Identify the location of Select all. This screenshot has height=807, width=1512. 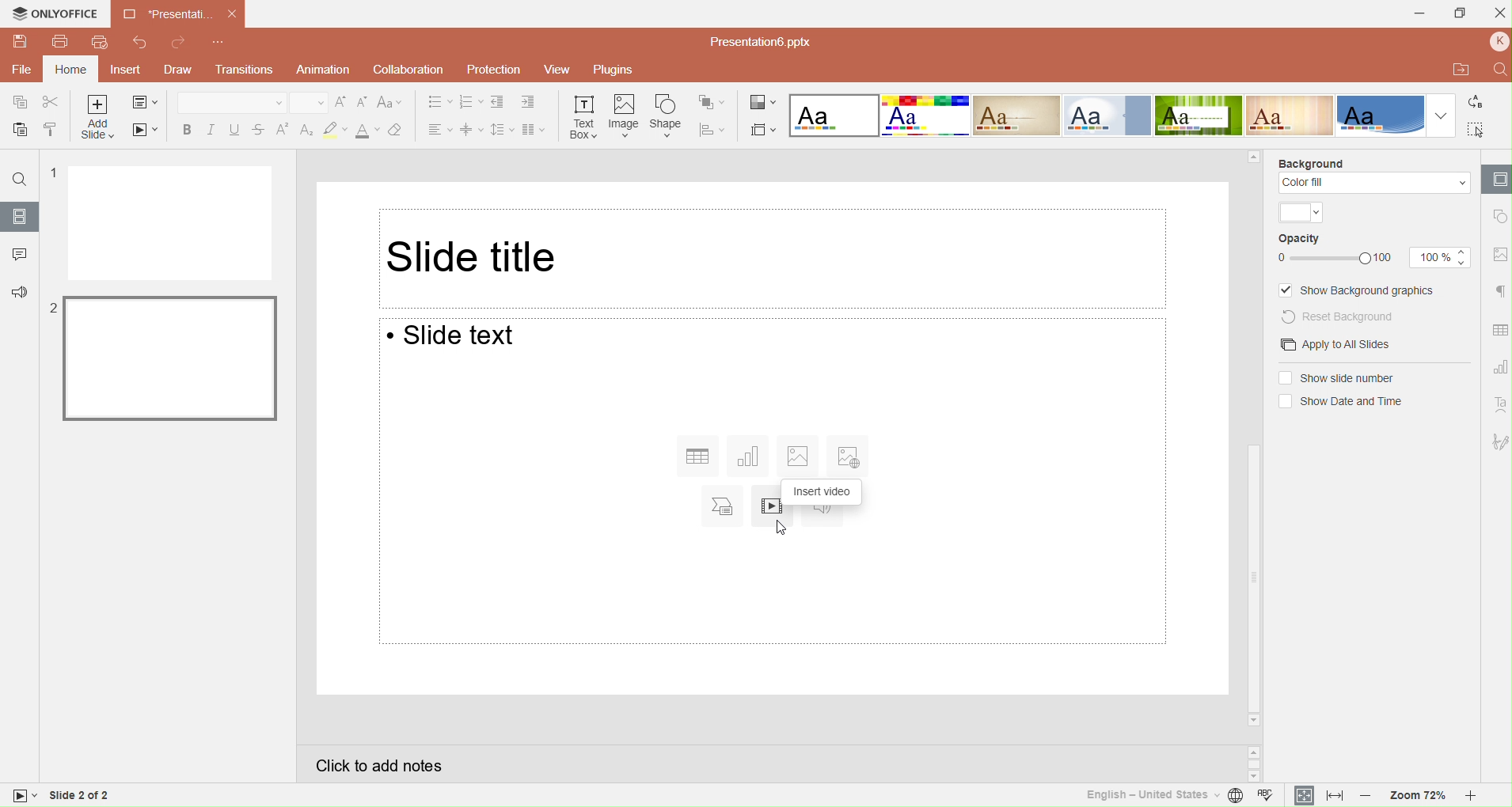
(1477, 127).